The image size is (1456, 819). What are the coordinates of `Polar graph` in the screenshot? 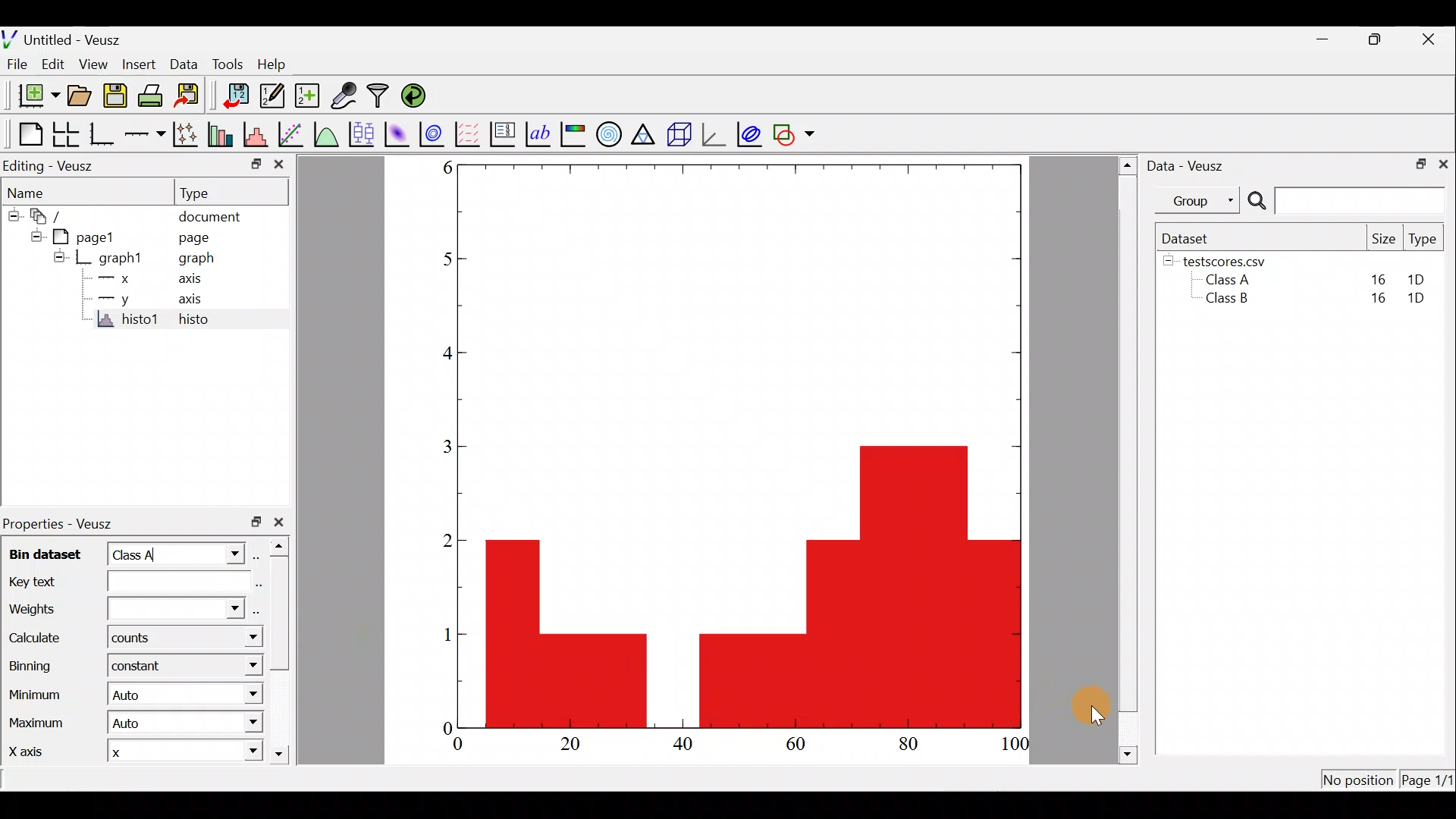 It's located at (609, 135).